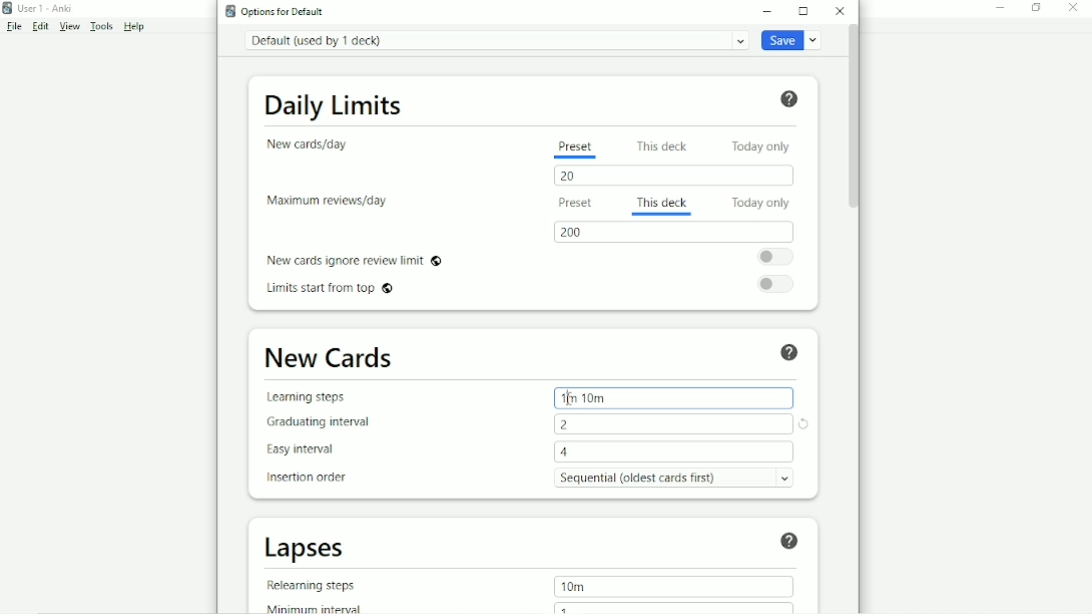 This screenshot has width=1092, height=614. What do you see at coordinates (805, 11) in the screenshot?
I see `Maximize` at bounding box center [805, 11].